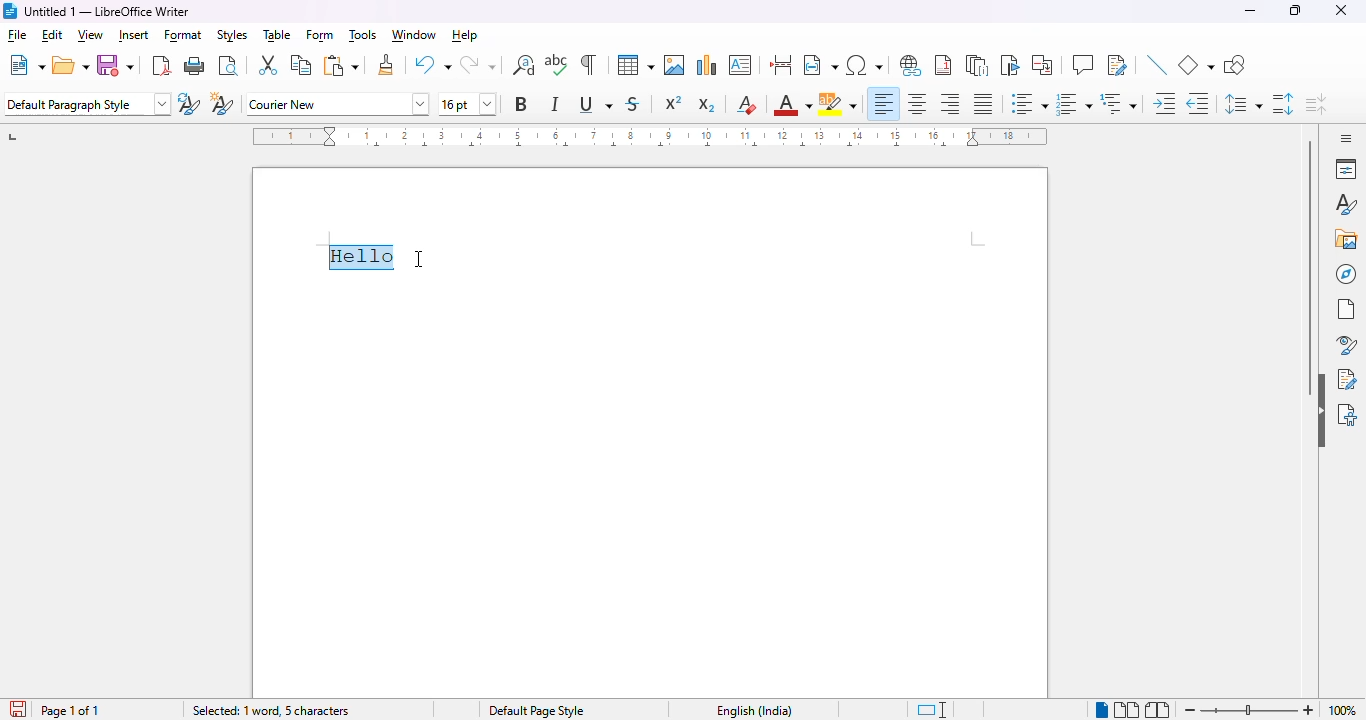 The height and width of the screenshot is (720, 1366). Describe the element at coordinates (557, 64) in the screenshot. I see `check spelling` at that location.